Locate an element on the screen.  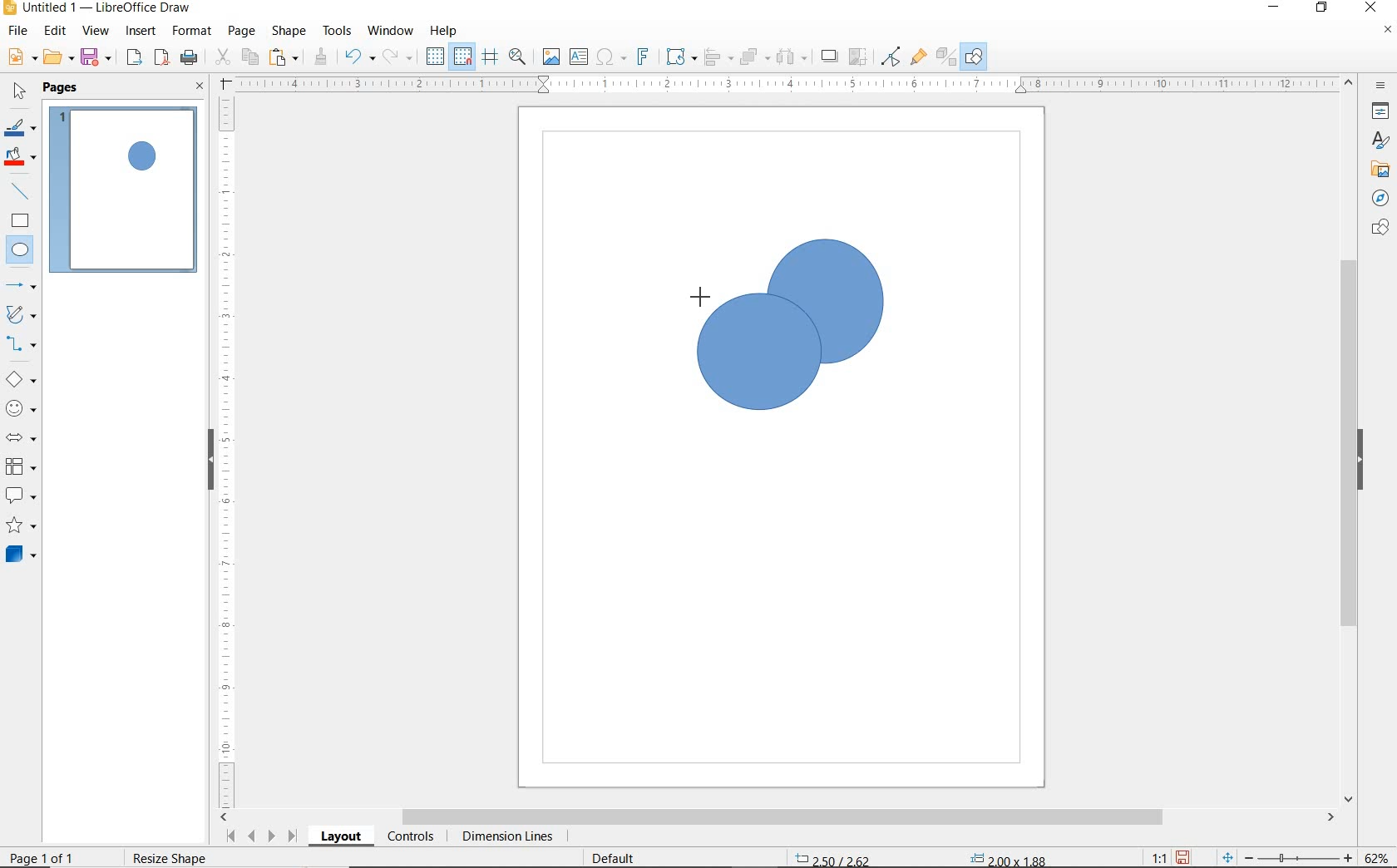
HIDE is located at coordinates (1365, 460).